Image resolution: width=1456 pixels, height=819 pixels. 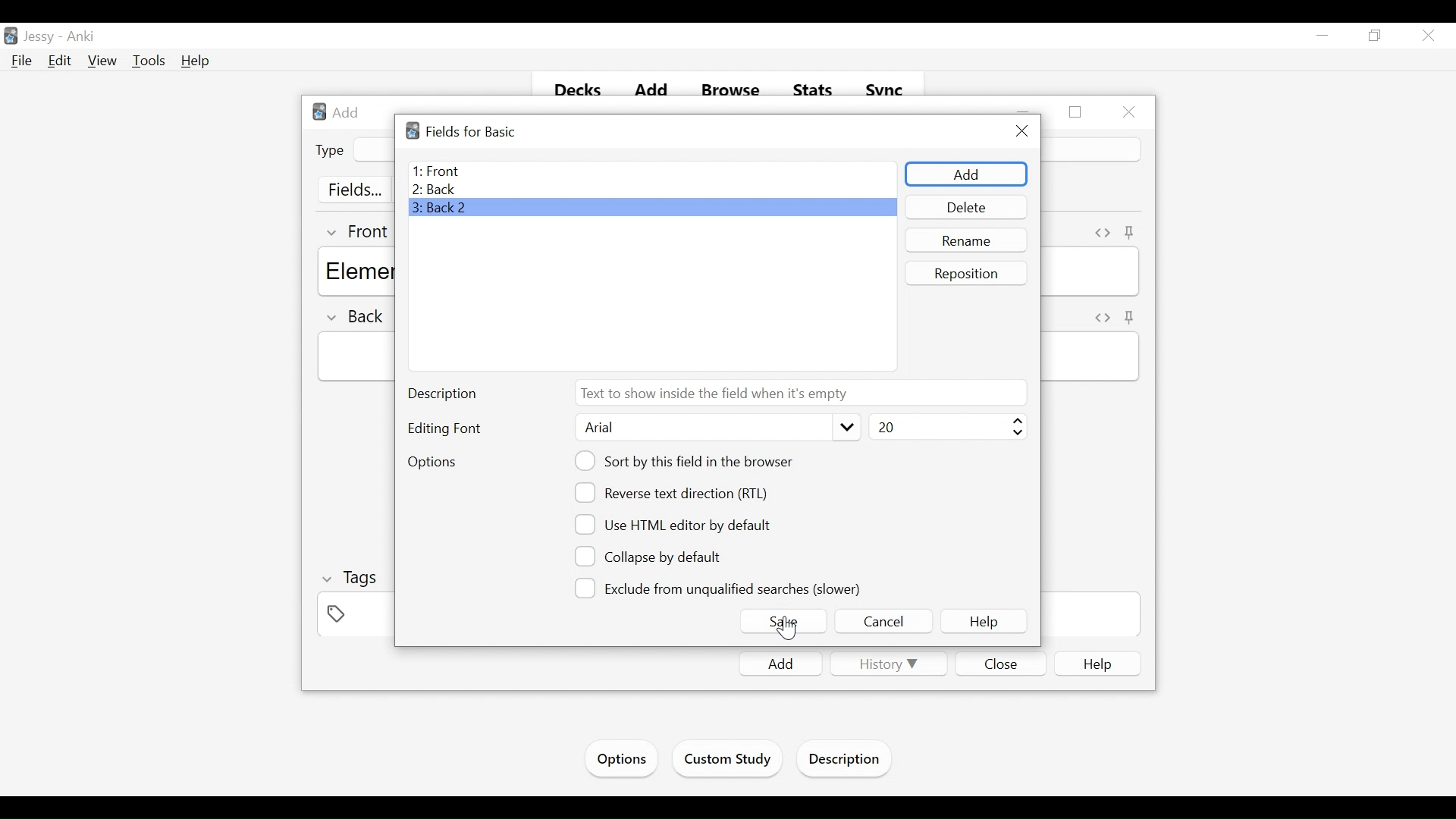 I want to click on Anki, so click(x=81, y=37).